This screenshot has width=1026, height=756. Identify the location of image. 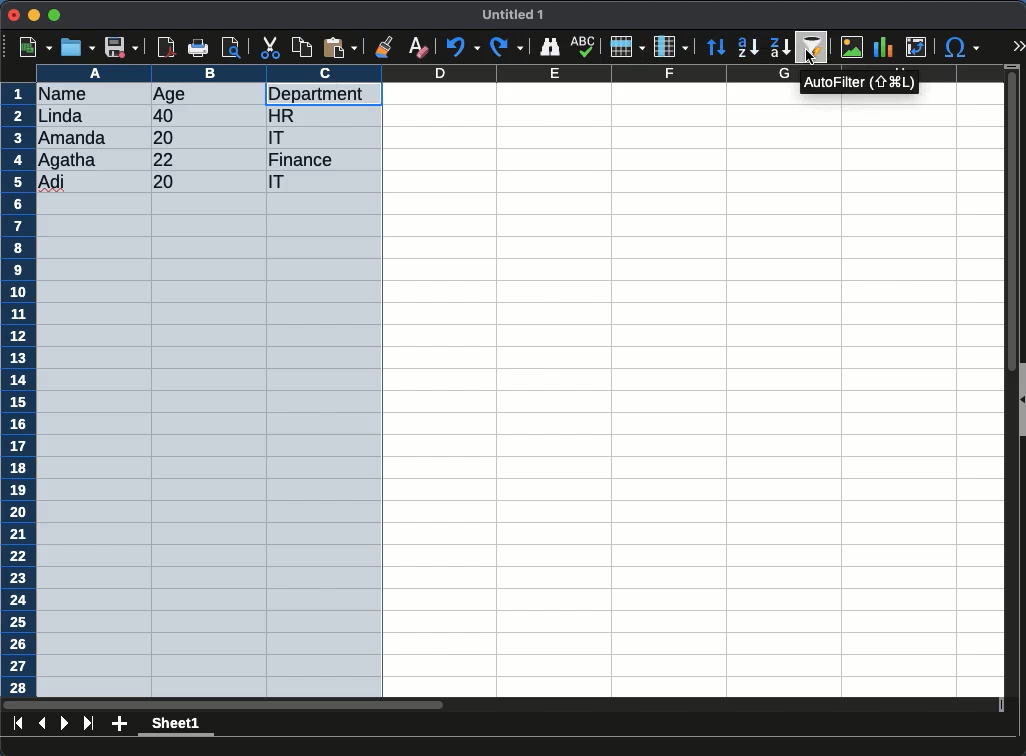
(851, 49).